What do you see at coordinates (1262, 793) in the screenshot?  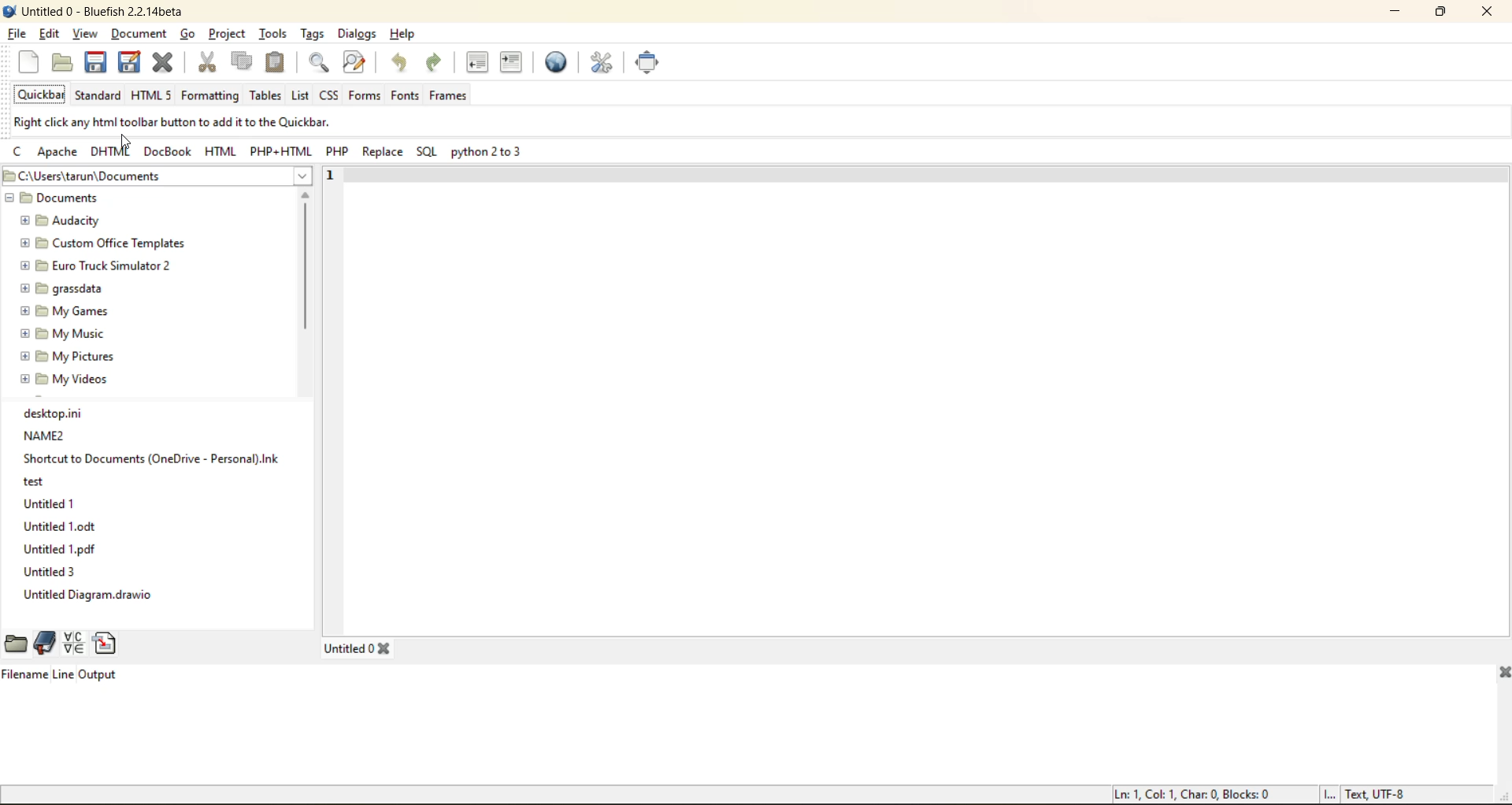 I see `metadata` at bounding box center [1262, 793].